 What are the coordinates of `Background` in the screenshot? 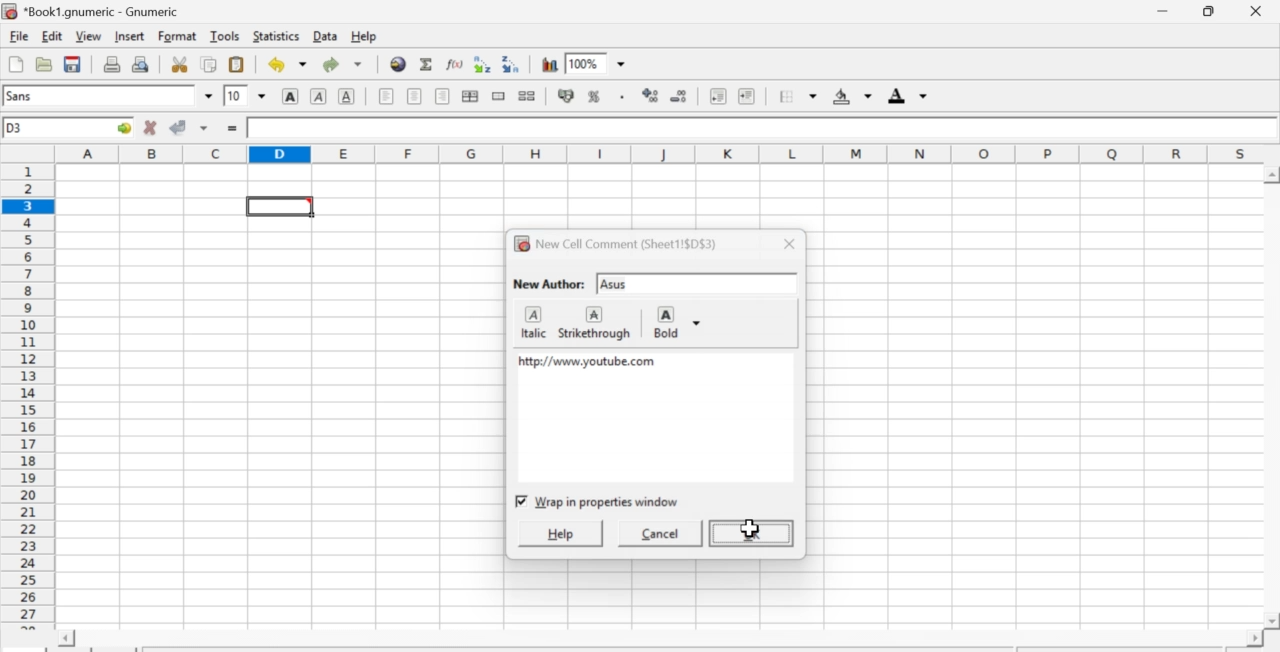 It's located at (853, 95).